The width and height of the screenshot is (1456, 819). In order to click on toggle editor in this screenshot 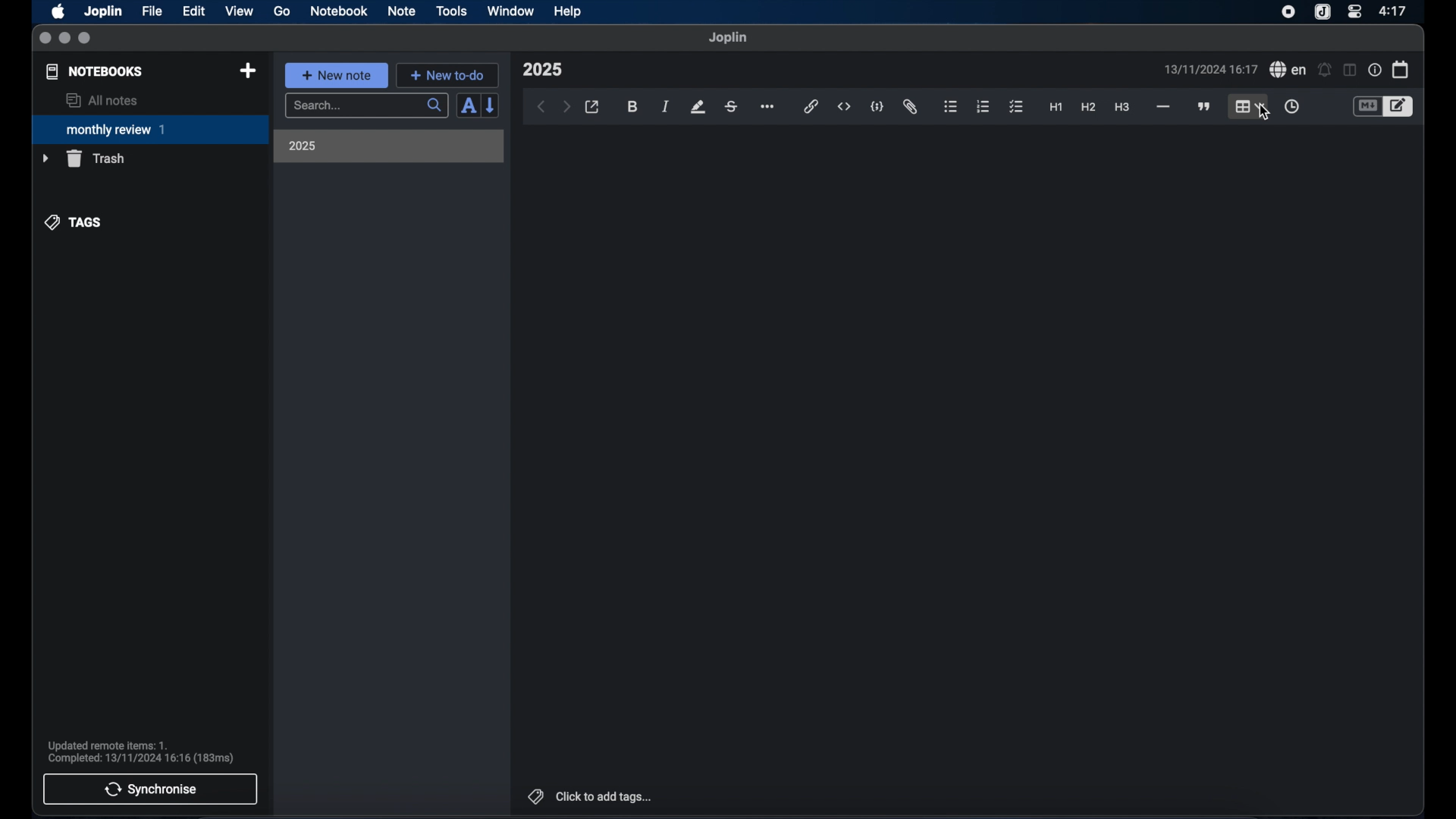, I will do `click(1367, 107)`.